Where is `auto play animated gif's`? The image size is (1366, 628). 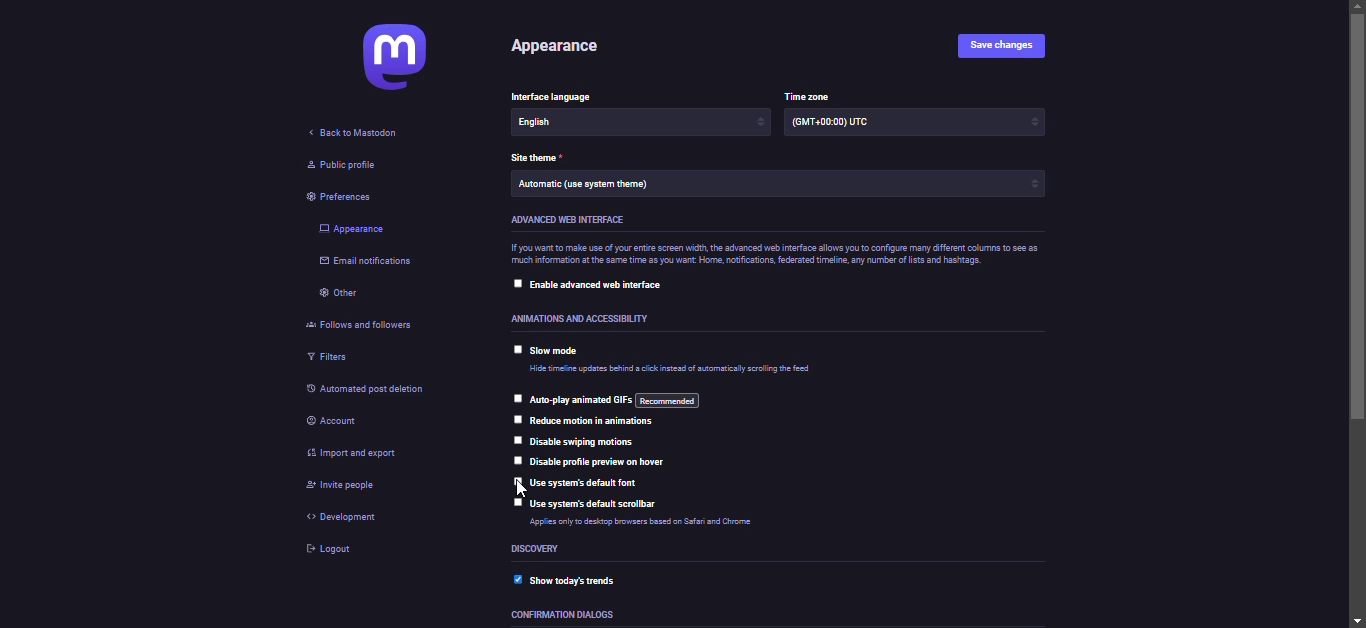 auto play animated gif's is located at coordinates (614, 399).